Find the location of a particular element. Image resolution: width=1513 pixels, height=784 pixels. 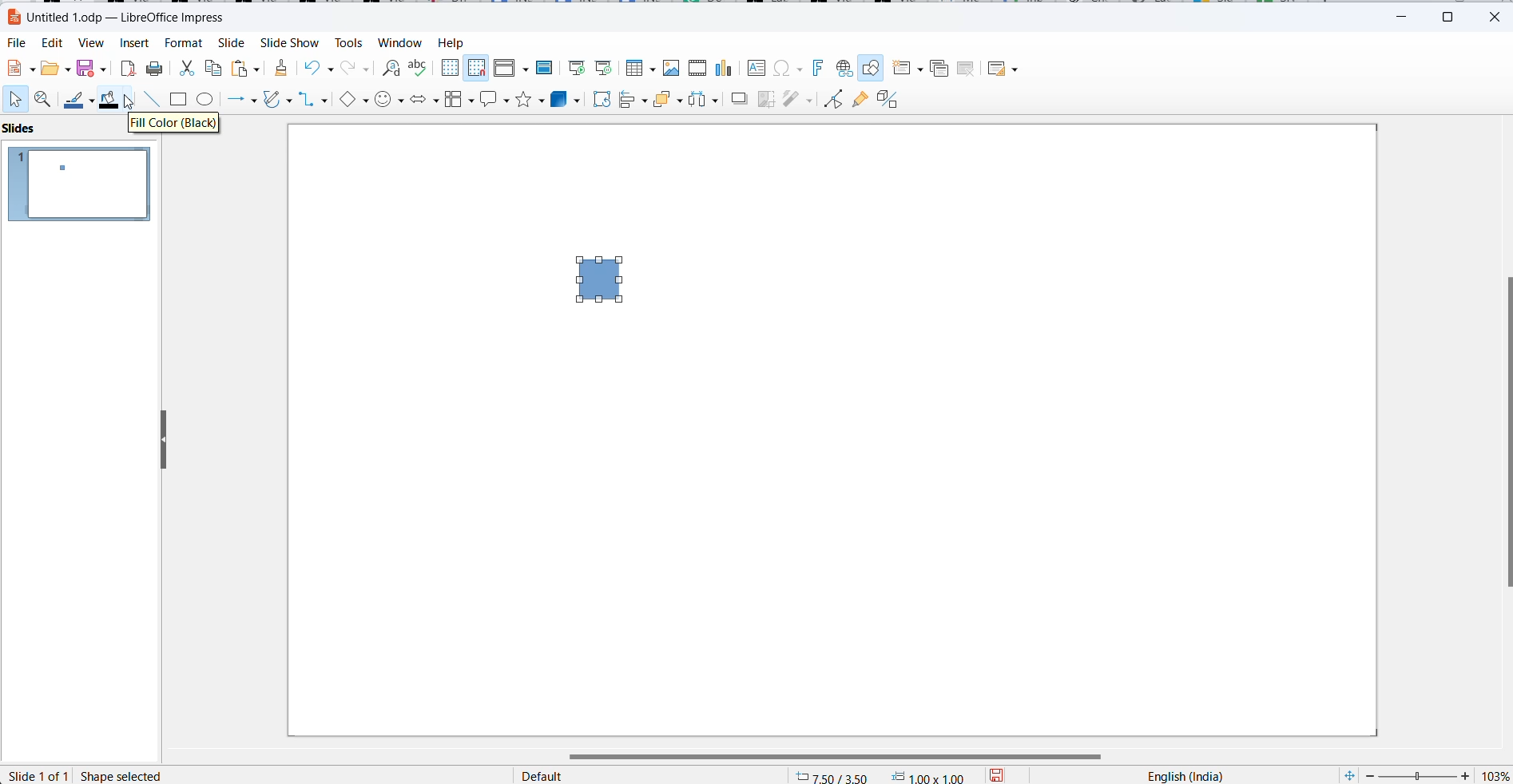

Window is located at coordinates (400, 44).